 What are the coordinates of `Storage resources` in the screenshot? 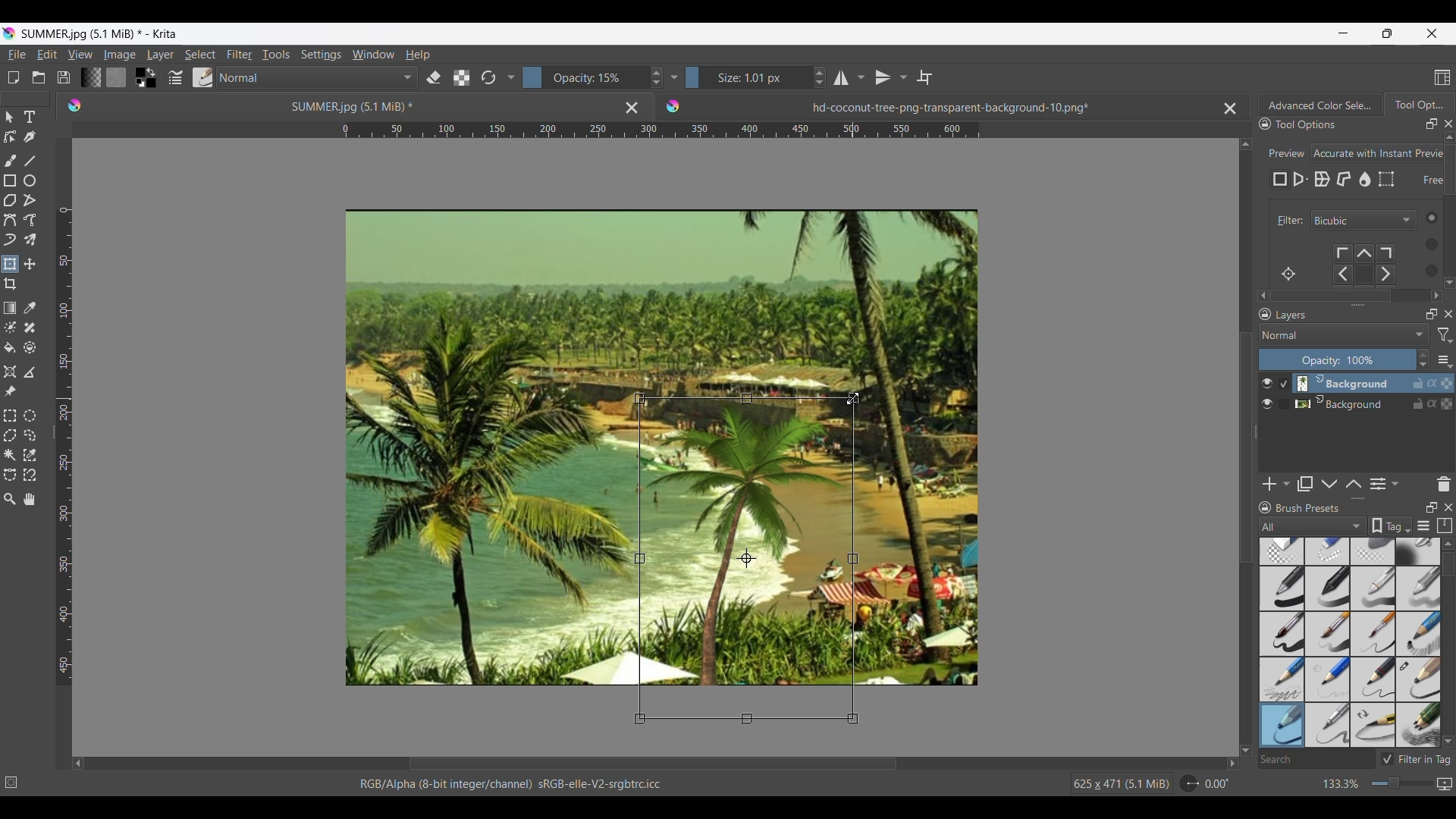 It's located at (1446, 525).